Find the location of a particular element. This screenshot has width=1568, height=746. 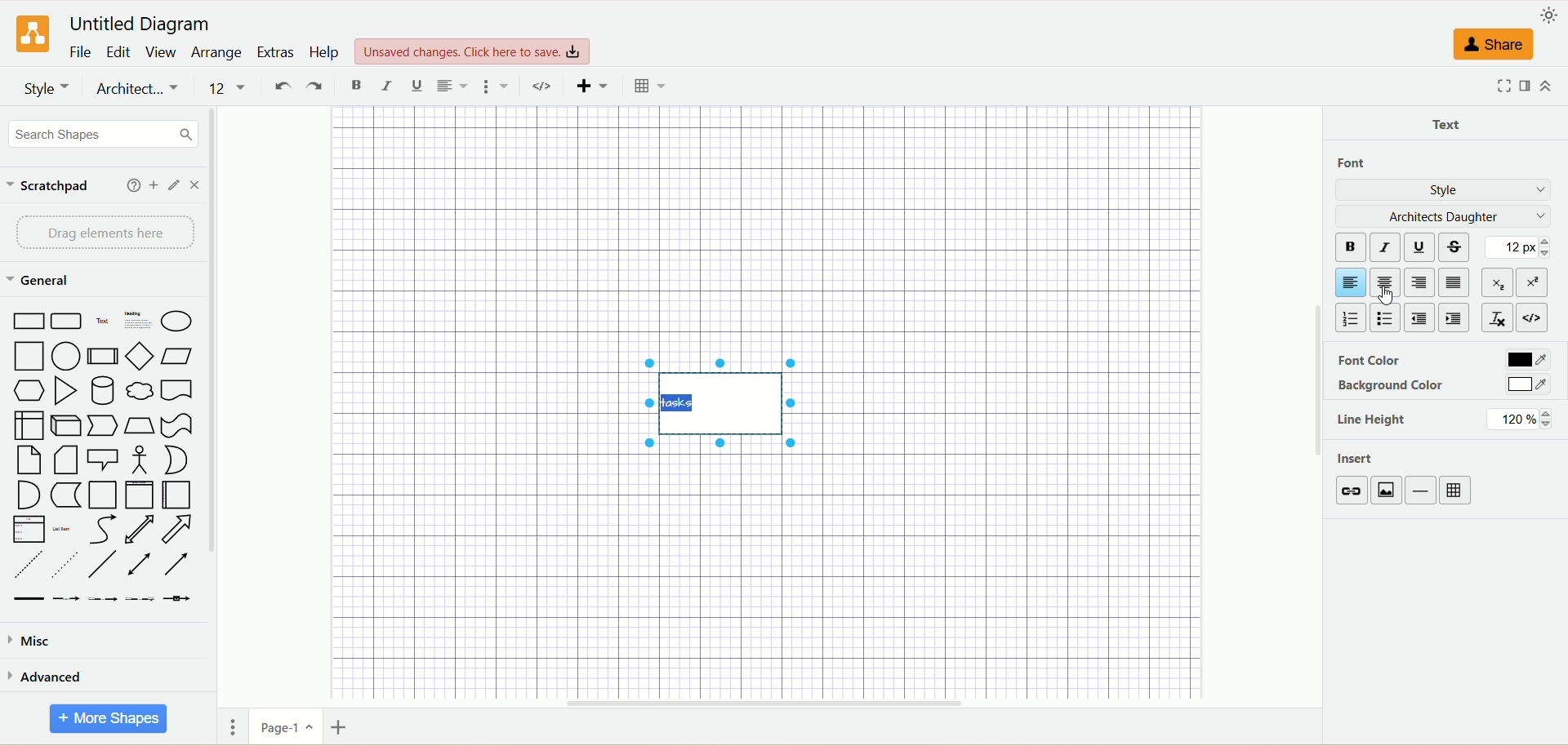

Hexagon is located at coordinates (29, 392).